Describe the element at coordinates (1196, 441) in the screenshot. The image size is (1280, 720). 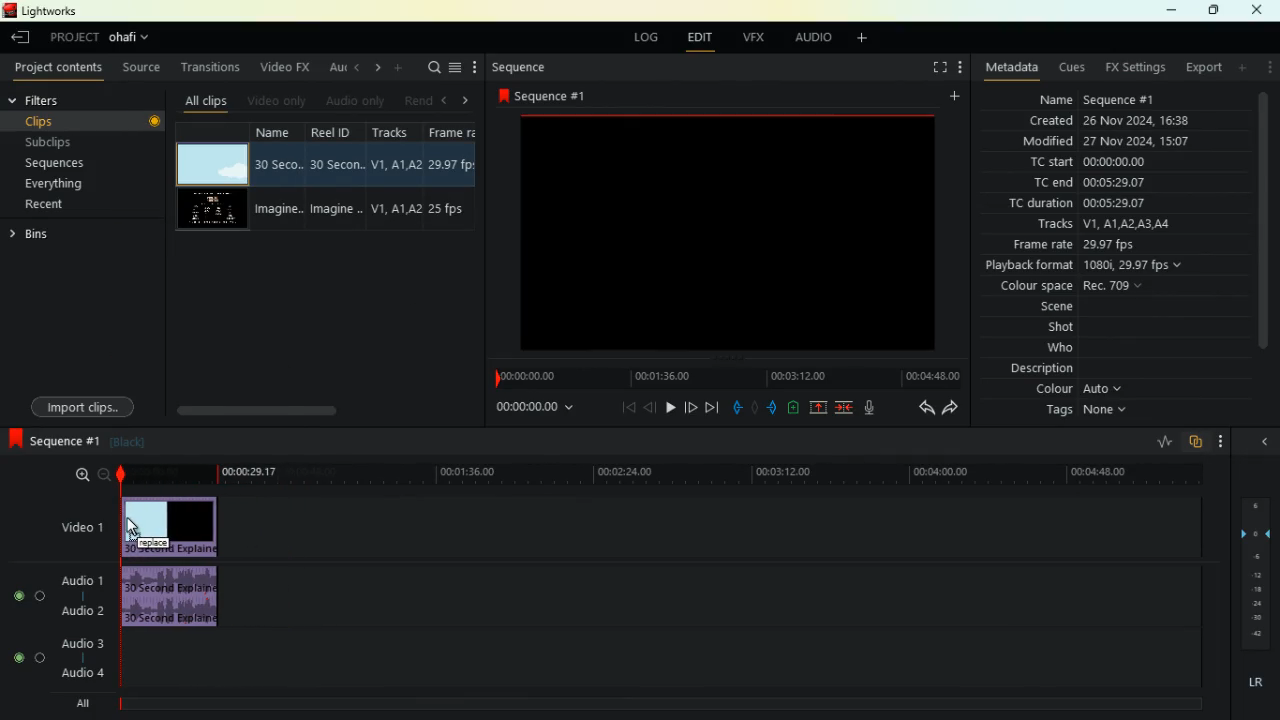
I see `overlap` at that location.